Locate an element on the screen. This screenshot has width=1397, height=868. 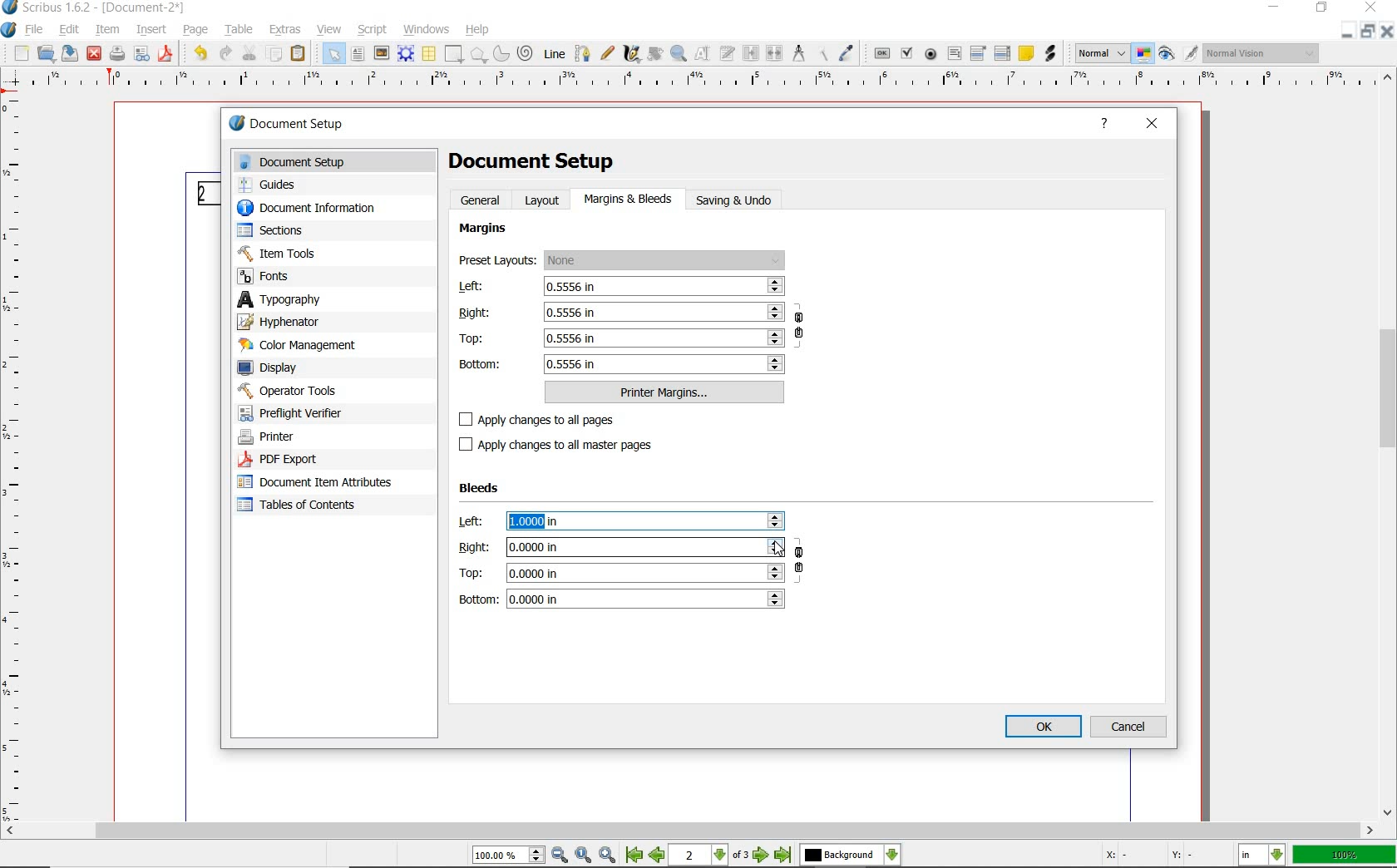
scrollbar is located at coordinates (1389, 445).